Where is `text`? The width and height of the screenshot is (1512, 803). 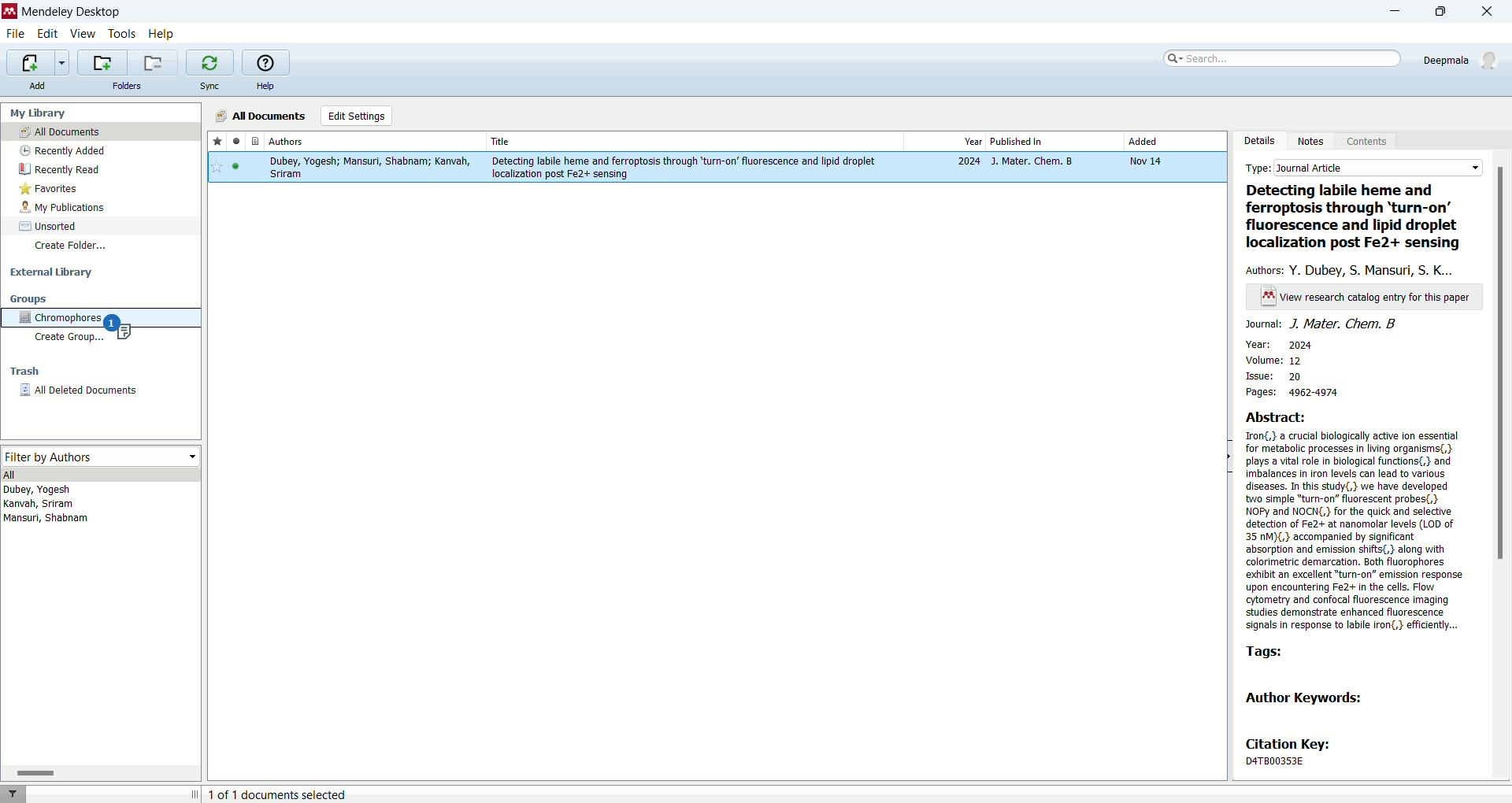 text is located at coordinates (1366, 298).